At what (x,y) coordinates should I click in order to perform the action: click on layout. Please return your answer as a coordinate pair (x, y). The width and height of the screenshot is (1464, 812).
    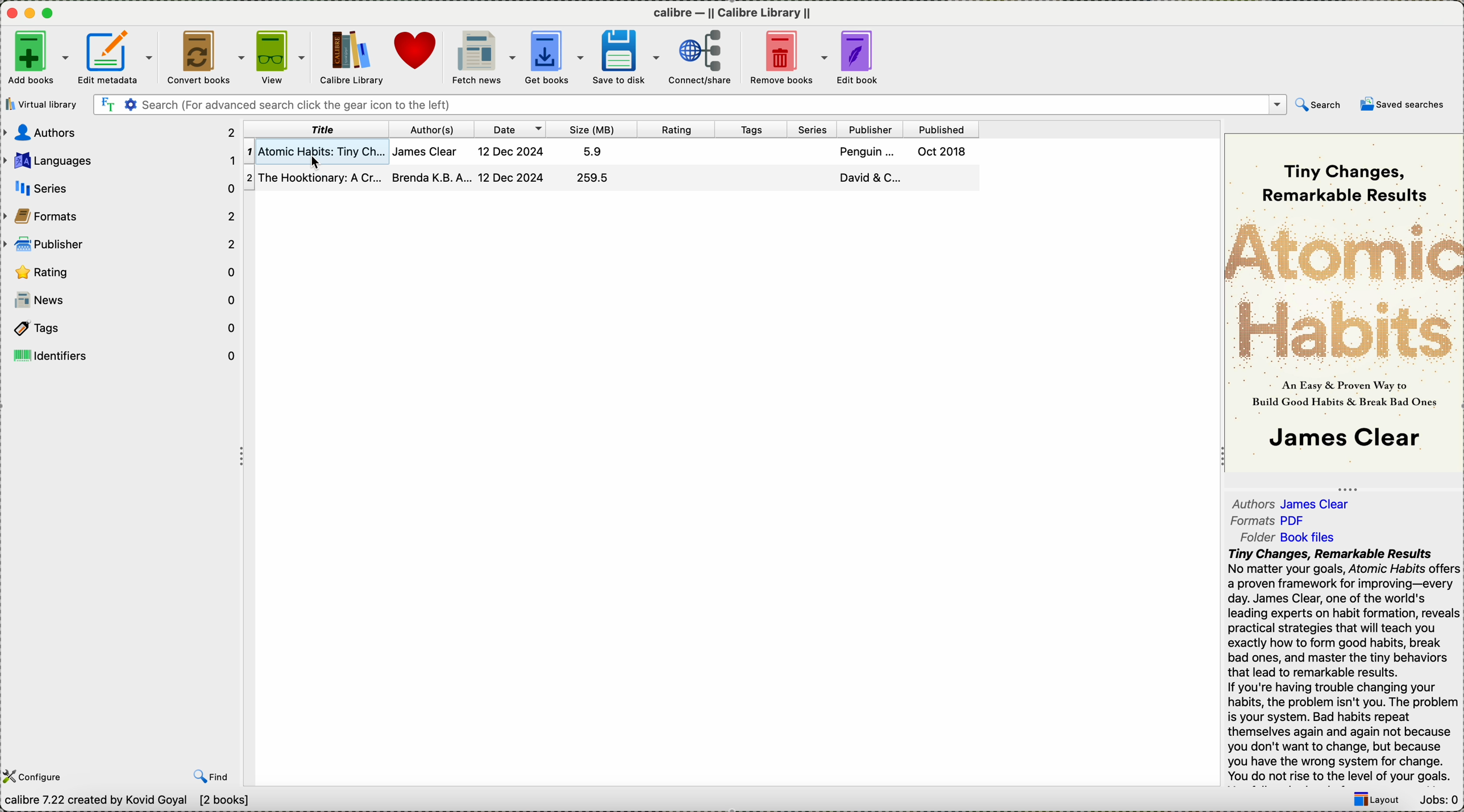
    Looking at the image, I should click on (1376, 801).